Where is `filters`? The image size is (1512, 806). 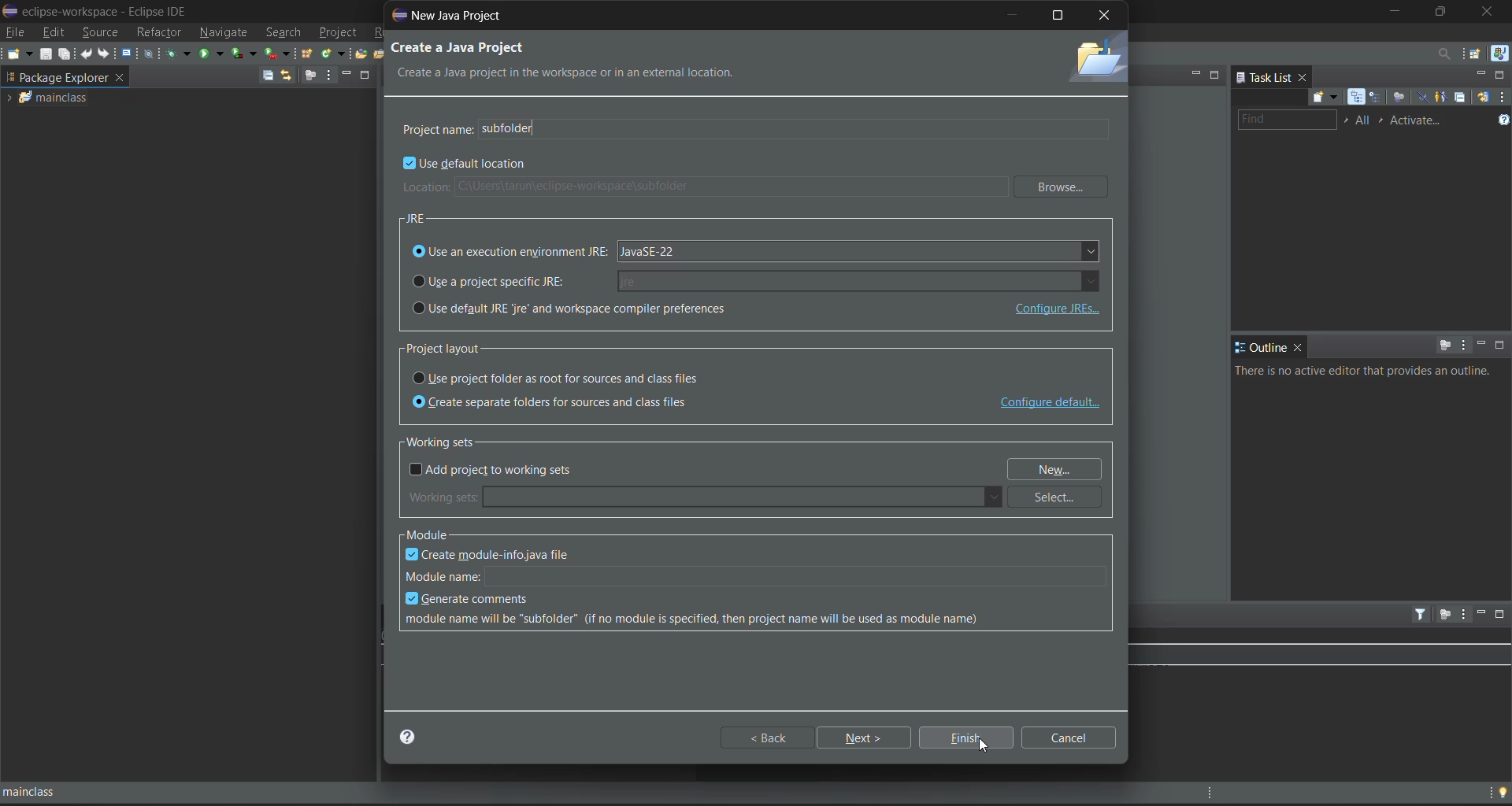 filters is located at coordinates (1422, 614).